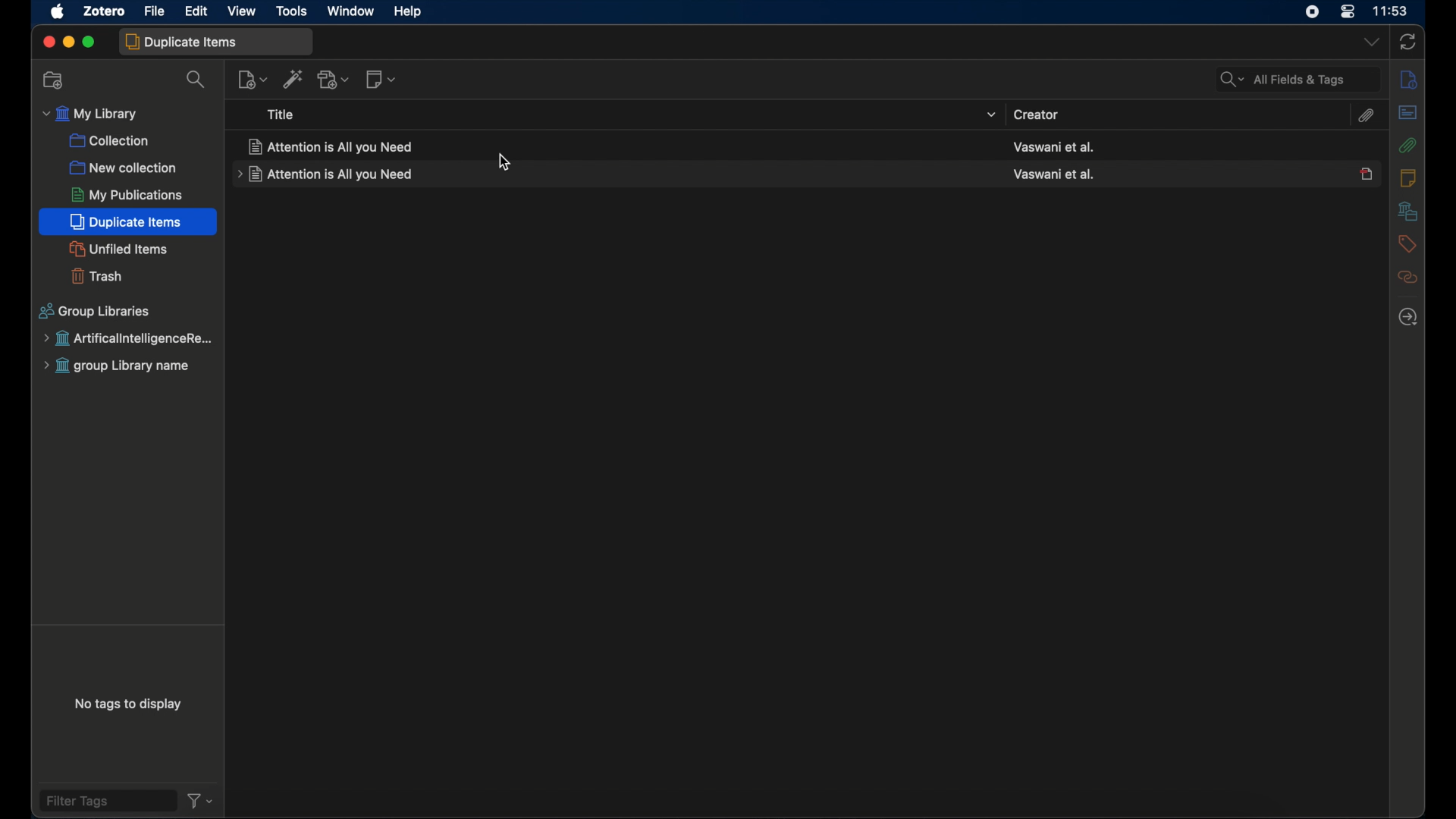 The image size is (1456, 819). I want to click on minimize, so click(67, 41).